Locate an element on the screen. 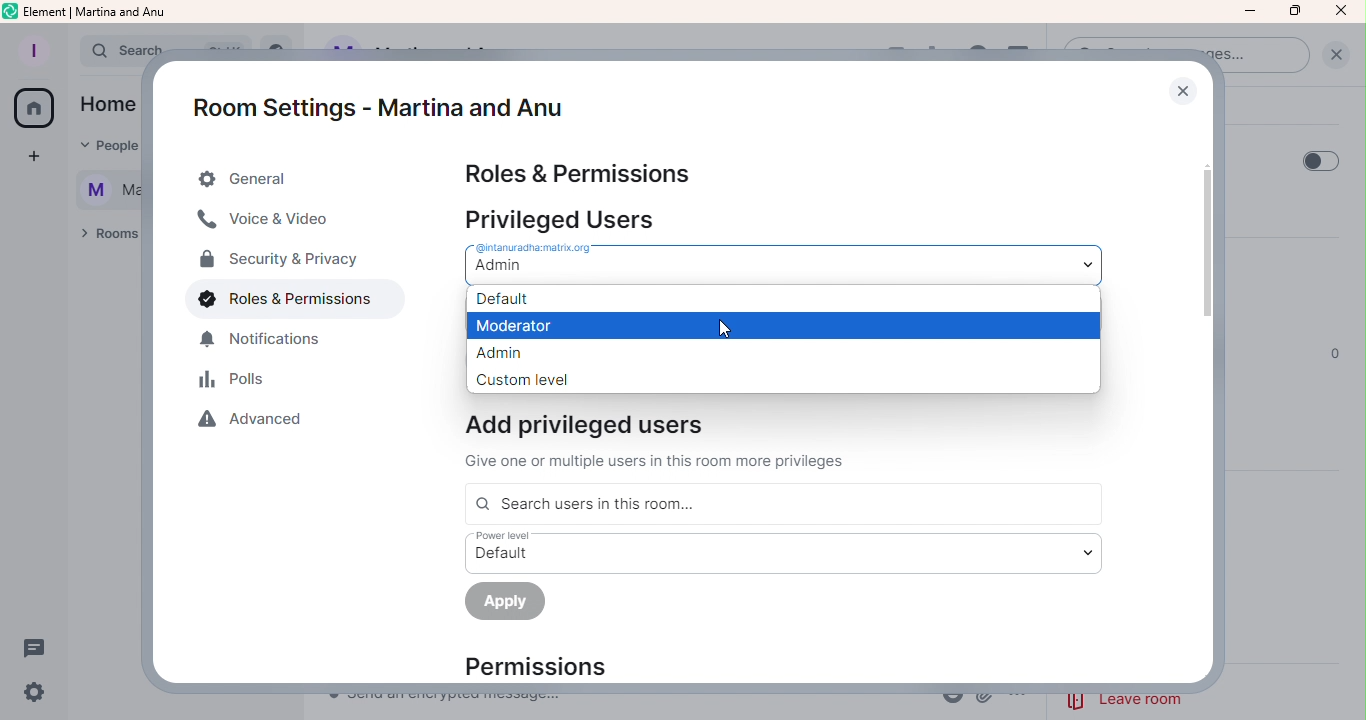 The height and width of the screenshot is (720, 1366). Clear Search is located at coordinates (1335, 54).